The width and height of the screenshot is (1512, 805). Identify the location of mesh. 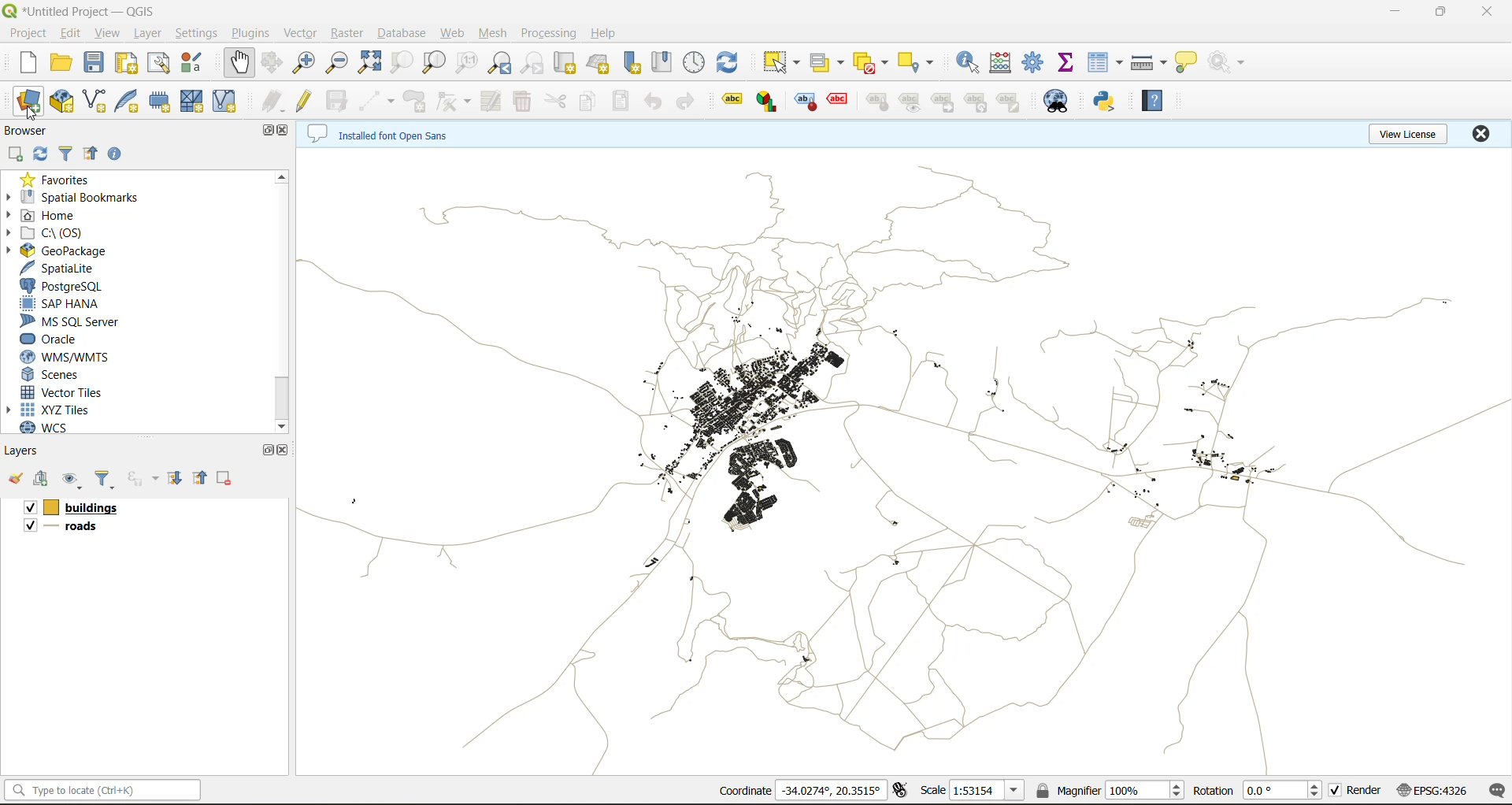
(495, 35).